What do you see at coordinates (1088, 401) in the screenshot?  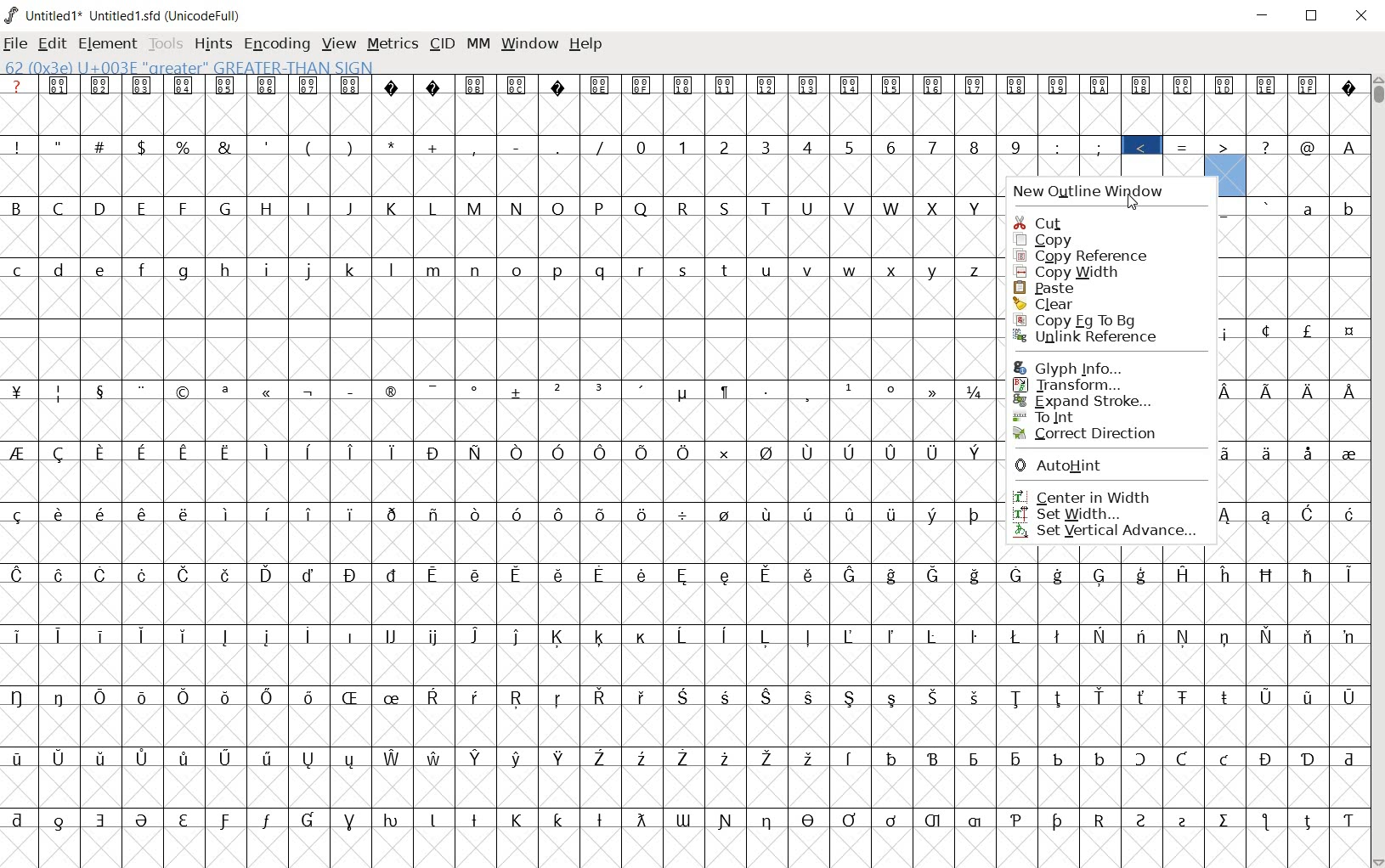 I see `Expand Stroke` at bounding box center [1088, 401].